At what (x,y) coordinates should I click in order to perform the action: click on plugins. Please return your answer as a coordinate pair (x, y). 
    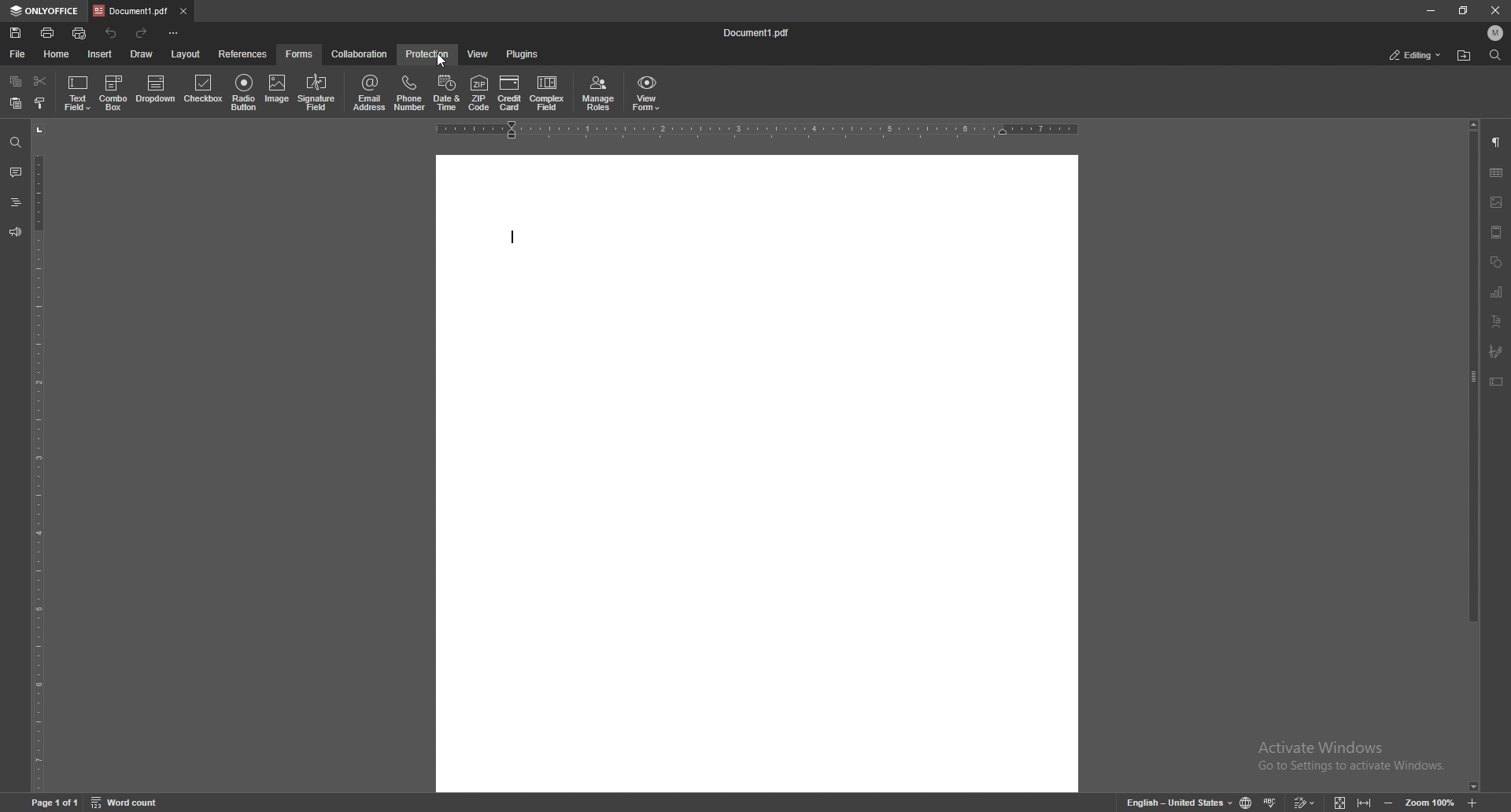
    Looking at the image, I should click on (524, 54).